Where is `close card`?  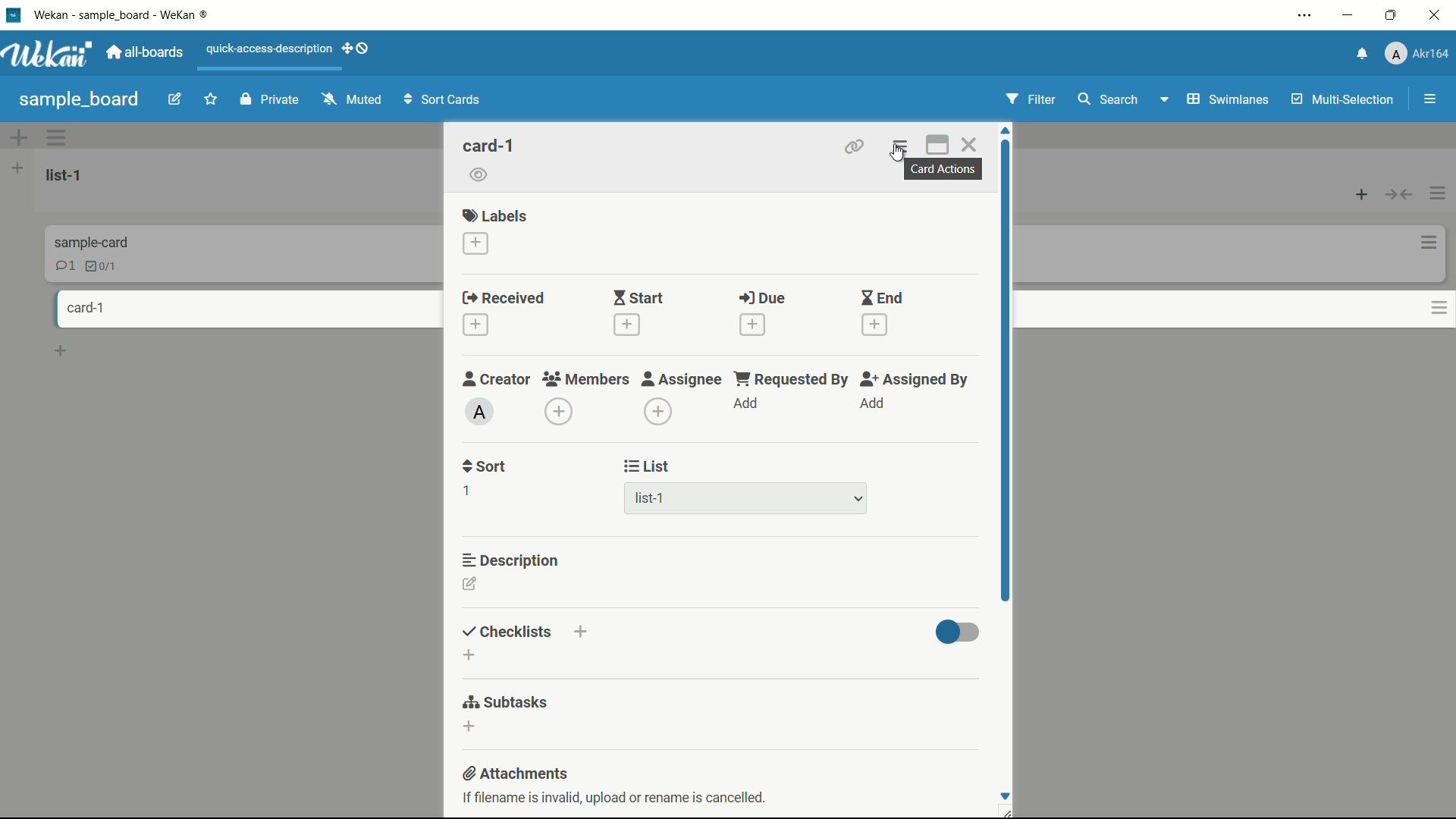
close card is located at coordinates (971, 145).